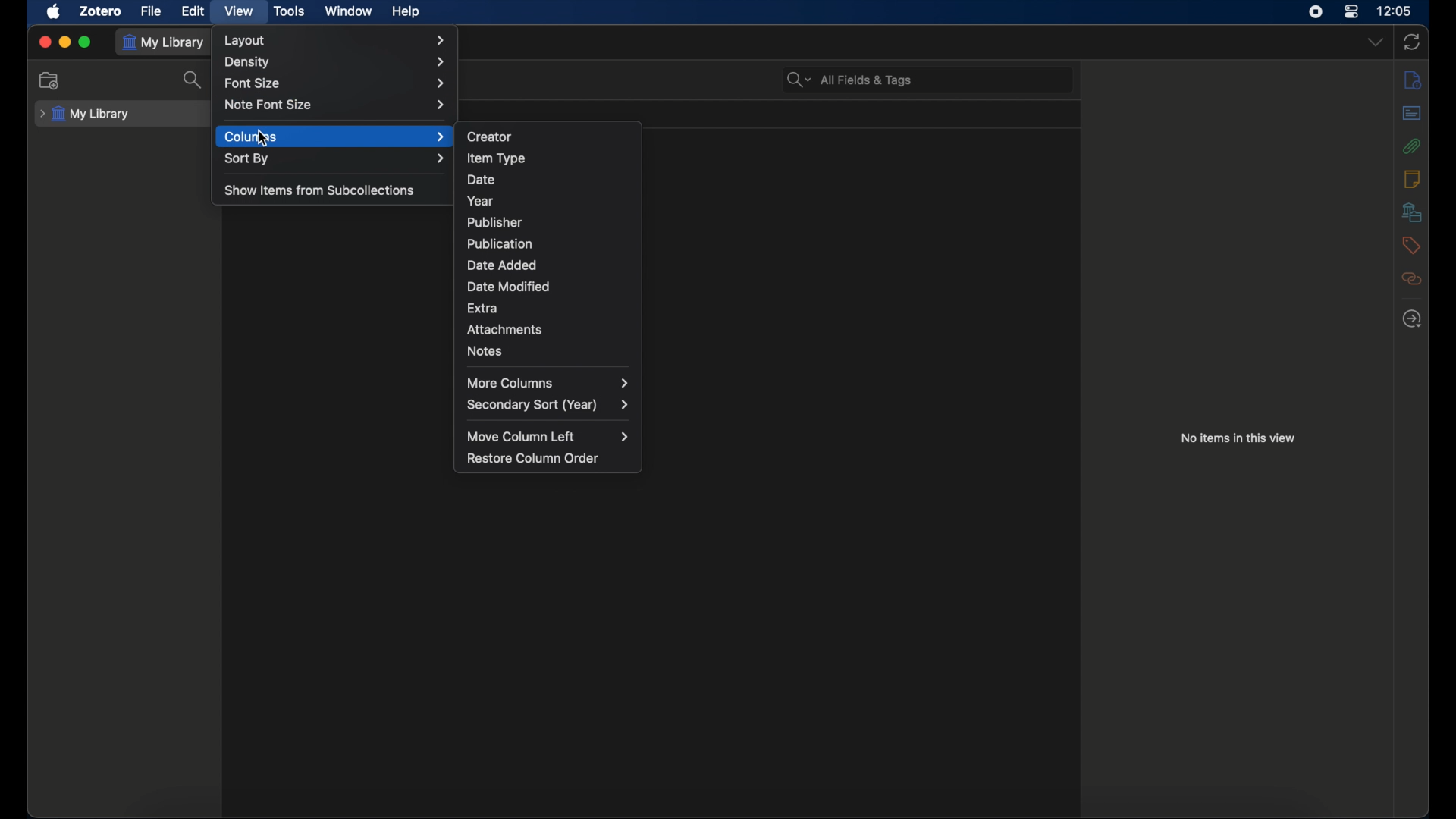  Describe the element at coordinates (49, 80) in the screenshot. I see `new collection` at that location.